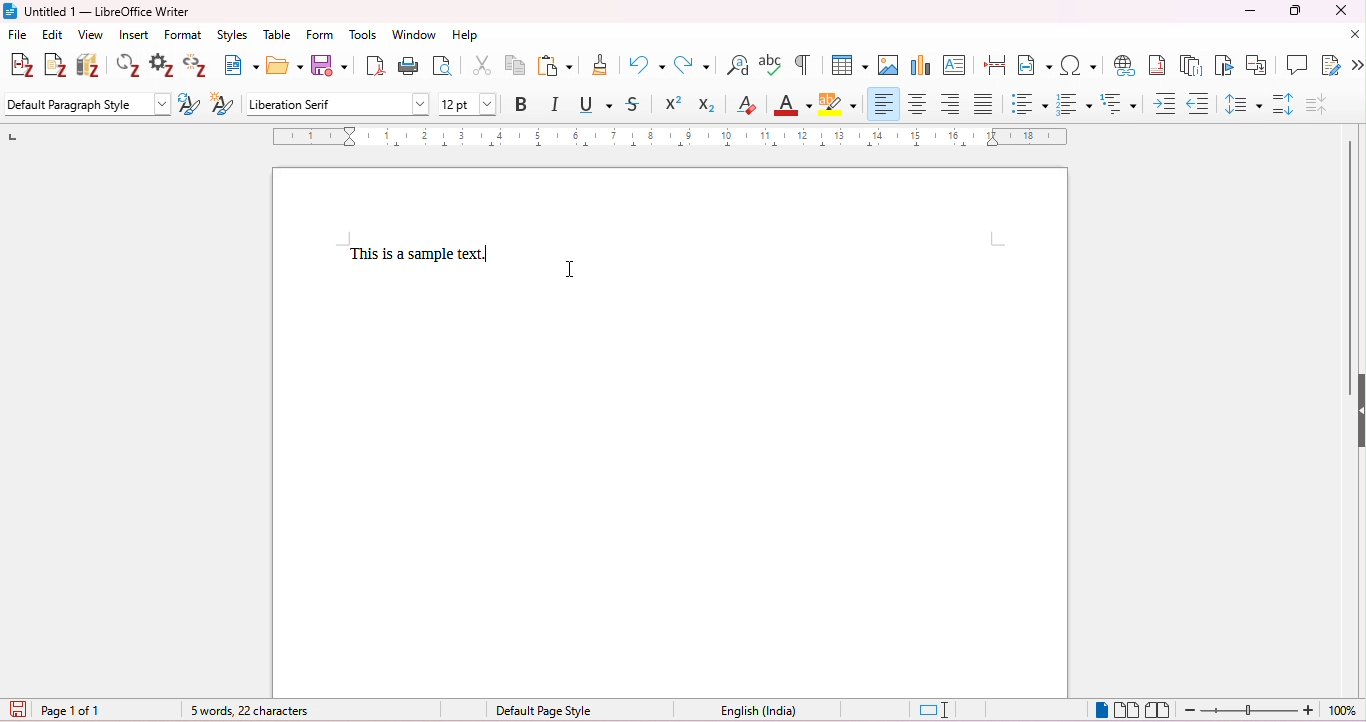  What do you see at coordinates (53, 36) in the screenshot?
I see `edit` at bounding box center [53, 36].